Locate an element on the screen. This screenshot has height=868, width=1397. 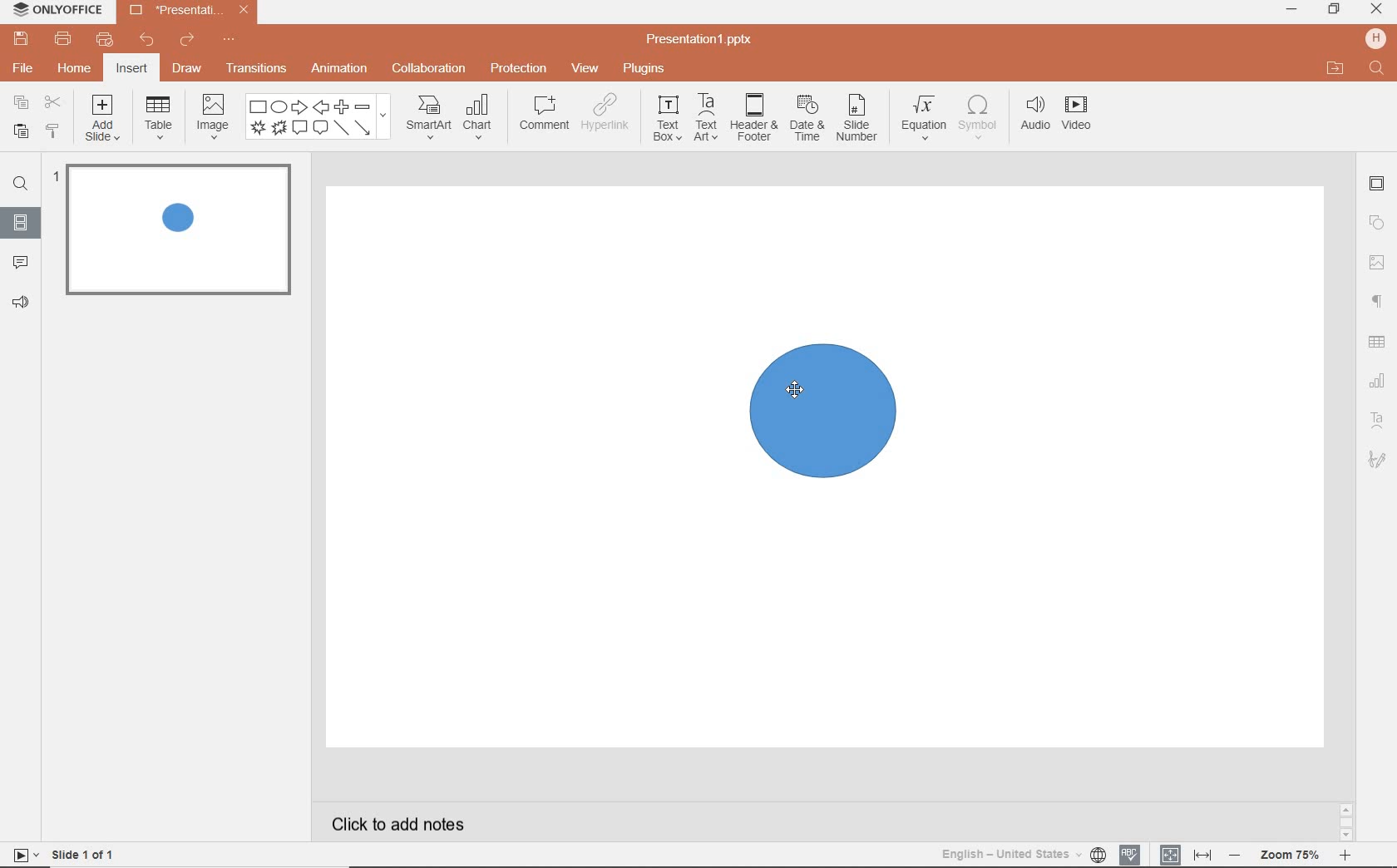
feedback & support is located at coordinates (19, 304).